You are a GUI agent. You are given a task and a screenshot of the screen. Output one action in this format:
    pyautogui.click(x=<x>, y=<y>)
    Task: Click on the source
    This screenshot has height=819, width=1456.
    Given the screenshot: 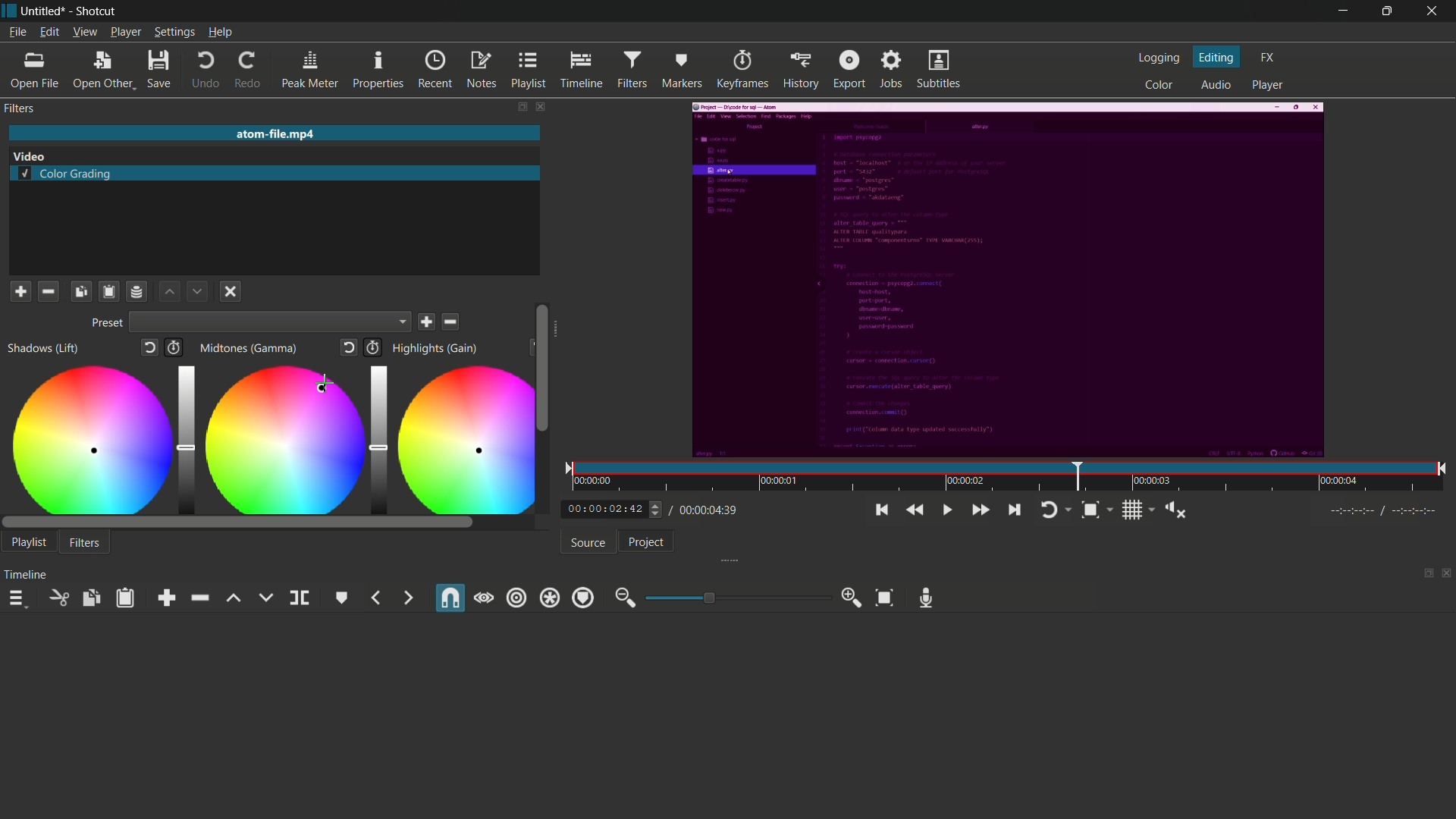 What is the action you would take?
    pyautogui.click(x=588, y=543)
    